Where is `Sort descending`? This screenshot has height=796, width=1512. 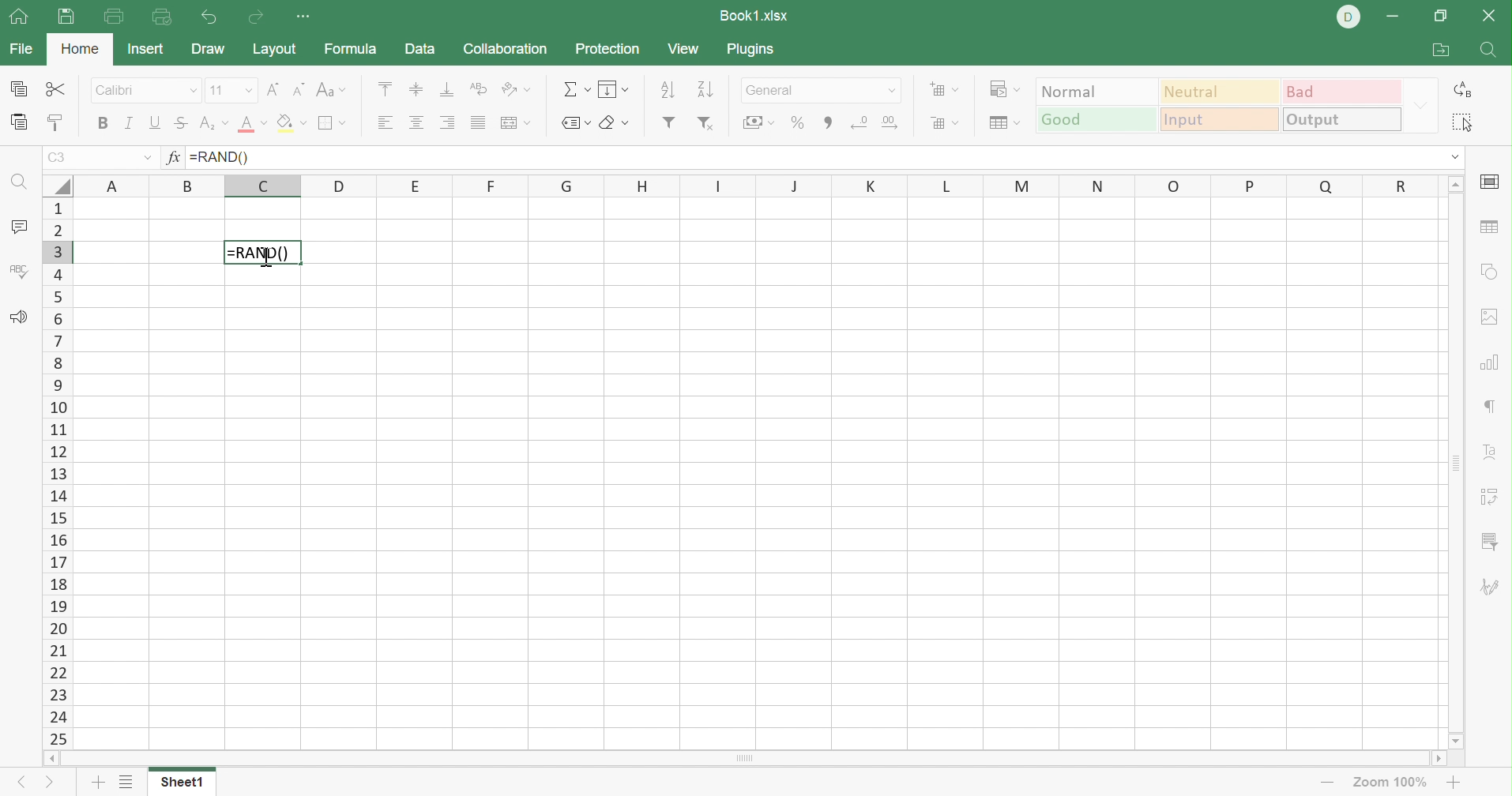
Sort descending is located at coordinates (705, 89).